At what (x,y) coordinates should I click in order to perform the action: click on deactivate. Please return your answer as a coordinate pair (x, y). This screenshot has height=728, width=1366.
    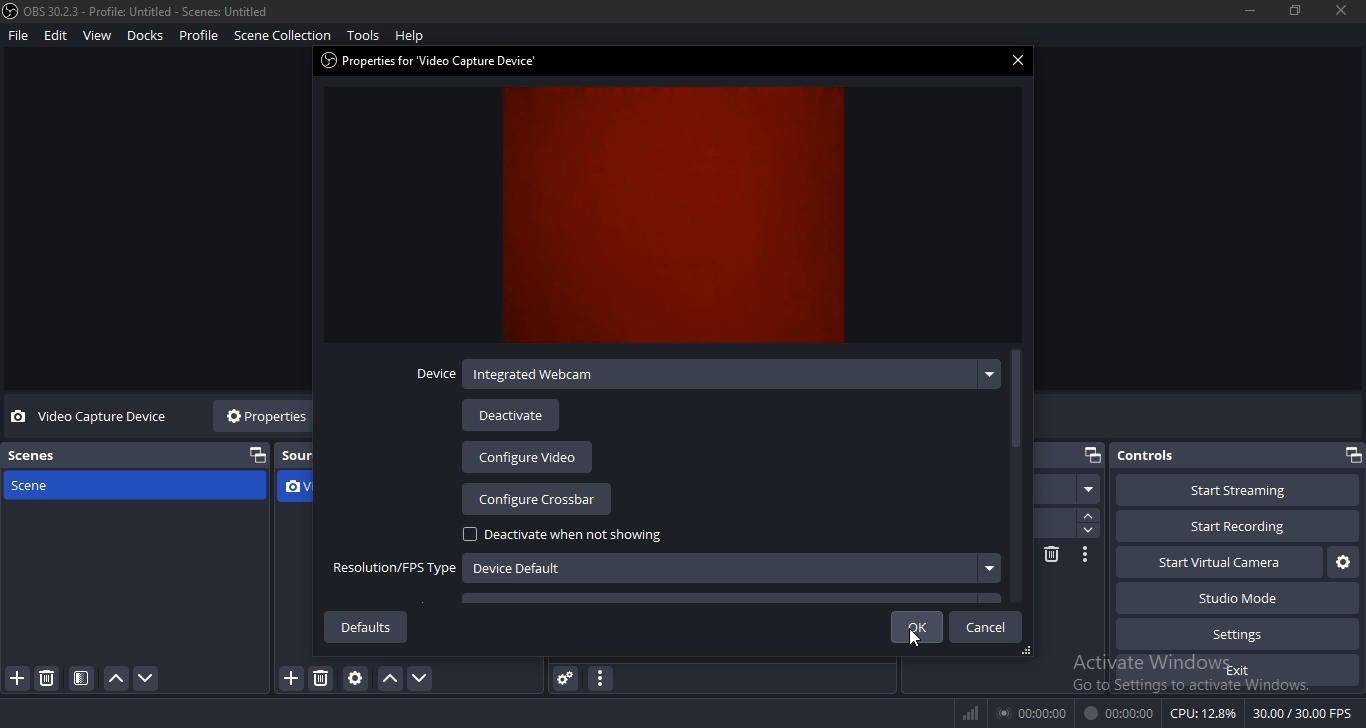
    Looking at the image, I should click on (511, 415).